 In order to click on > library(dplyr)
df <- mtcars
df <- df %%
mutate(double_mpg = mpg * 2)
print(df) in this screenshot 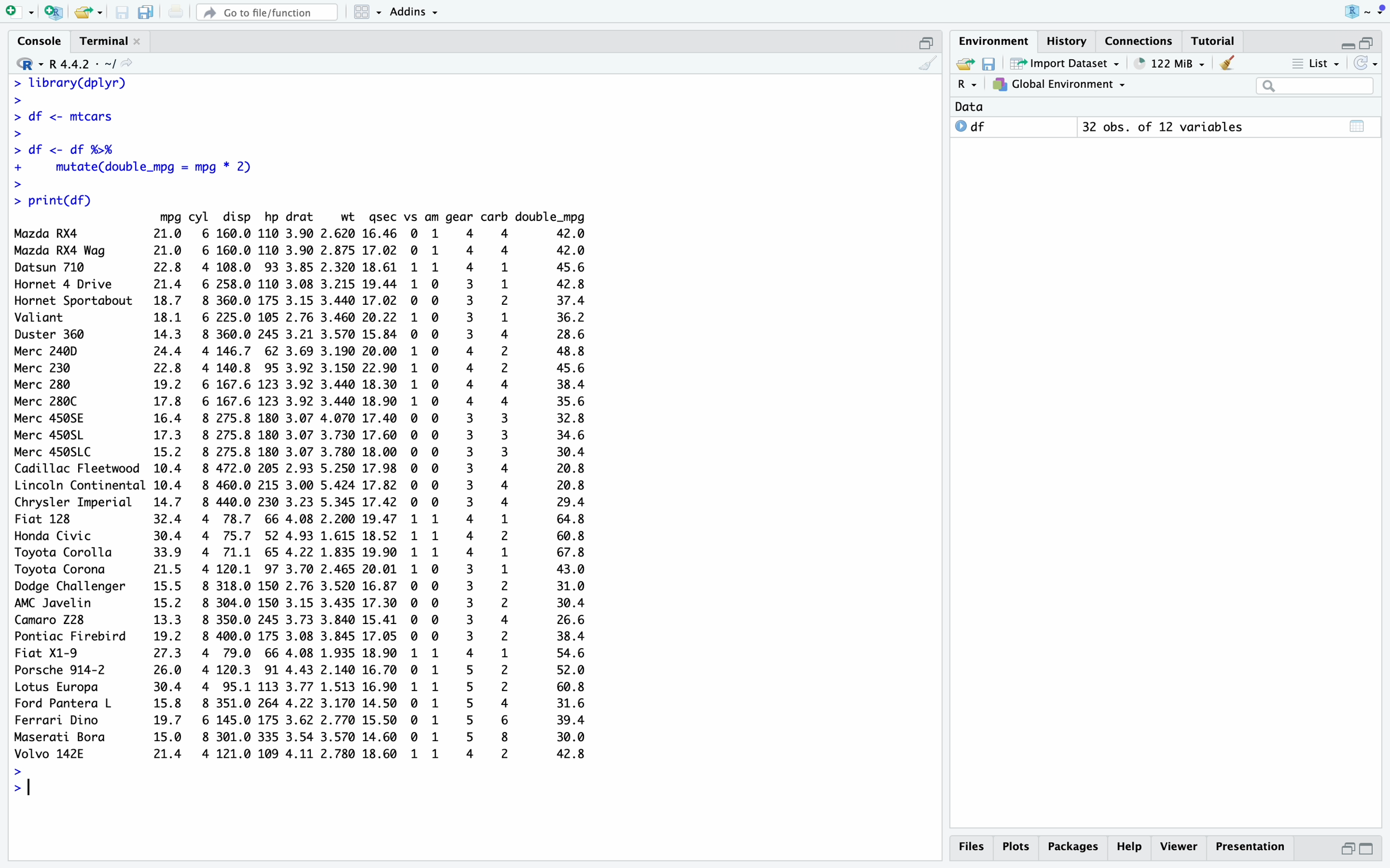, I will do `click(136, 142)`.